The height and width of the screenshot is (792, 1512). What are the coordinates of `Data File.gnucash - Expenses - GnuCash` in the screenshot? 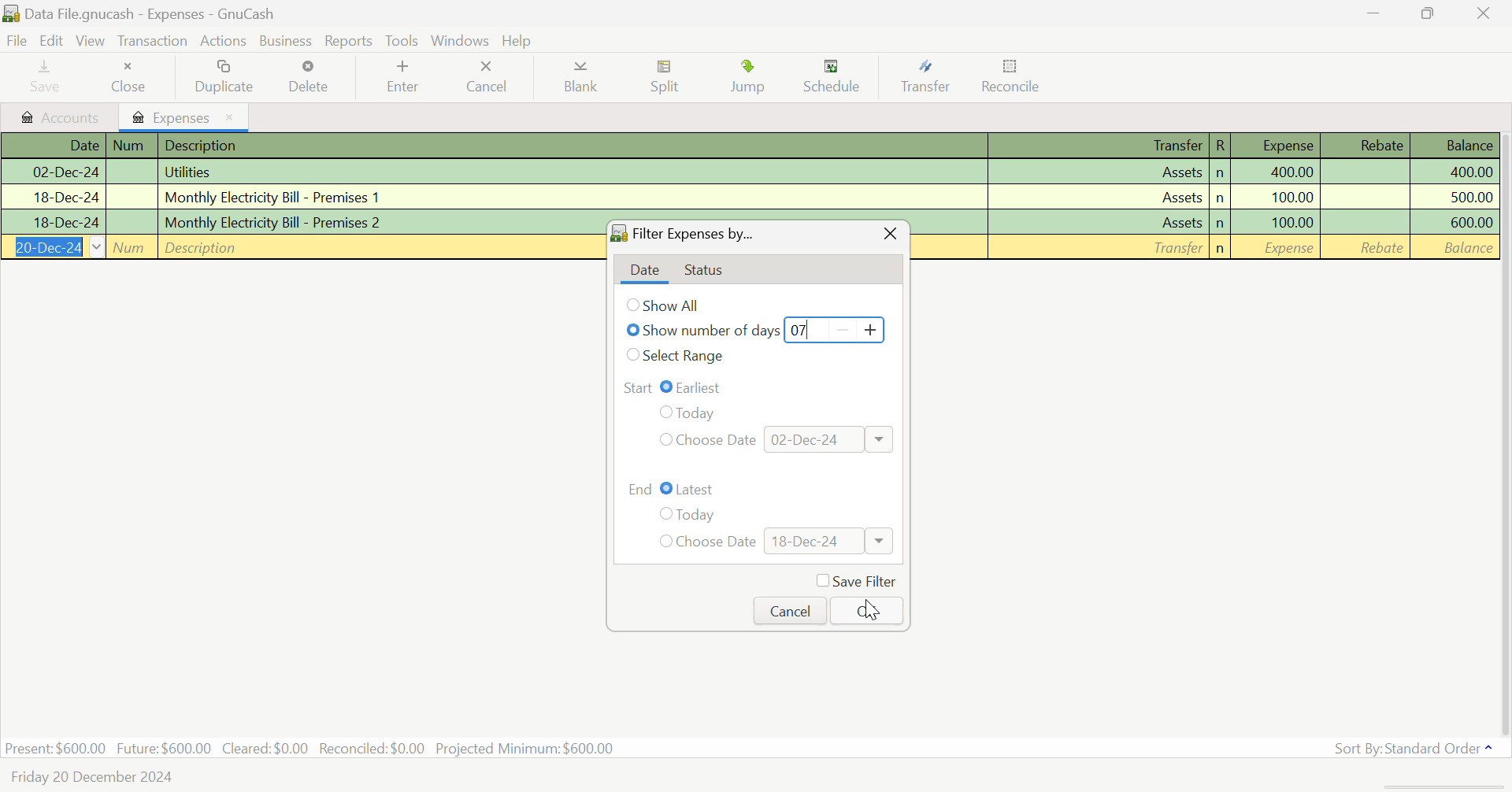 It's located at (141, 13).